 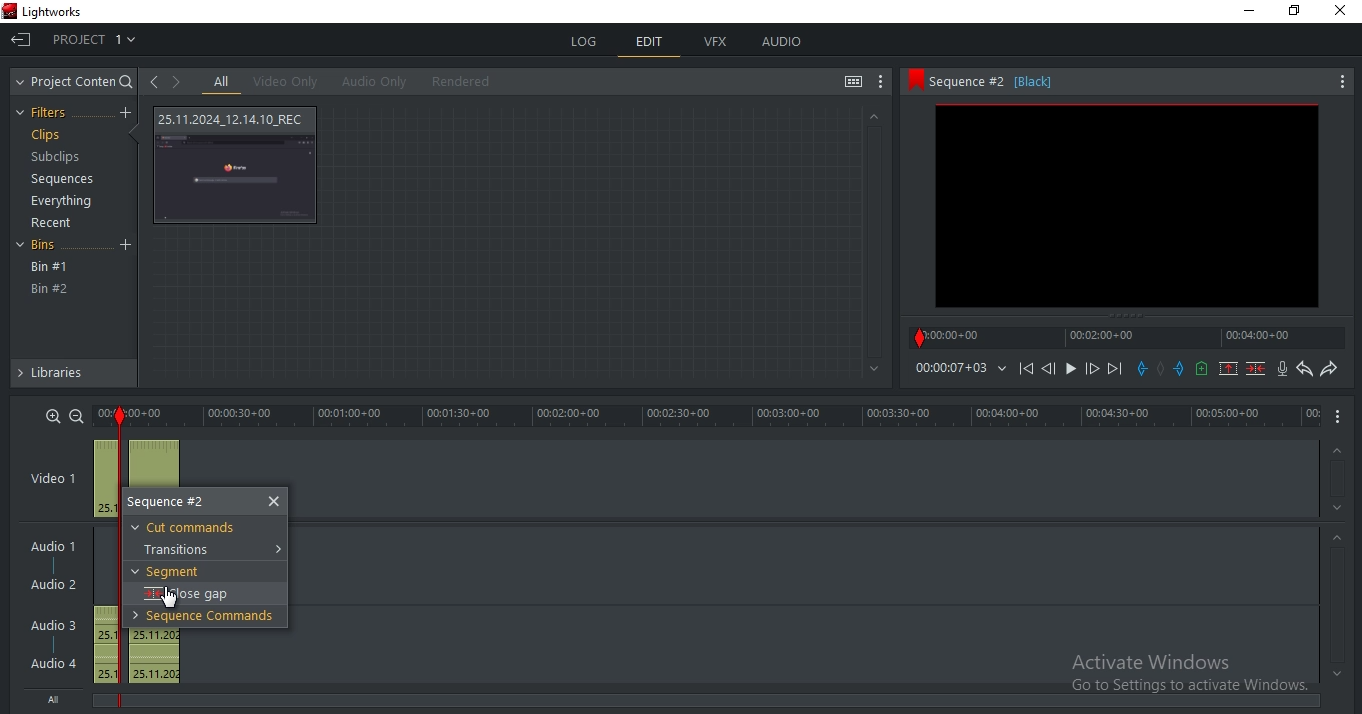 What do you see at coordinates (1343, 12) in the screenshot?
I see `Close` at bounding box center [1343, 12].